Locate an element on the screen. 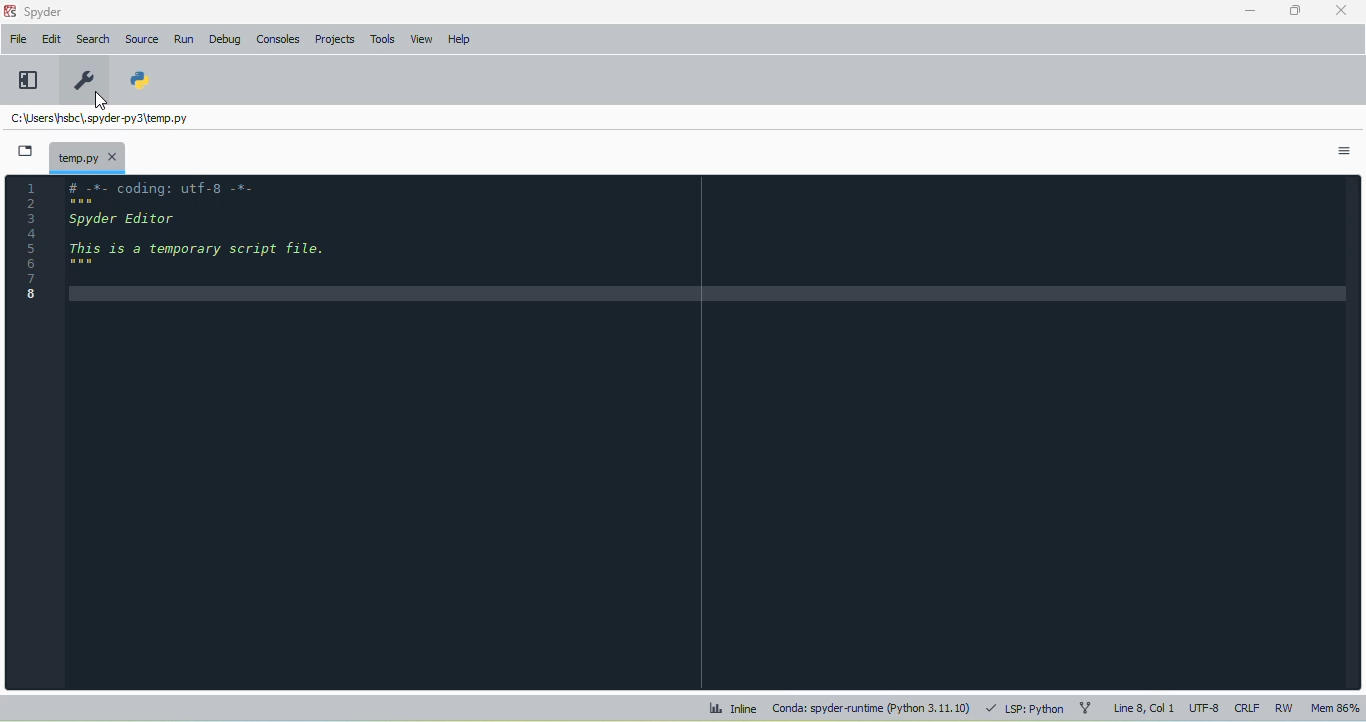 The image size is (1366, 722). cursor is located at coordinates (102, 101).